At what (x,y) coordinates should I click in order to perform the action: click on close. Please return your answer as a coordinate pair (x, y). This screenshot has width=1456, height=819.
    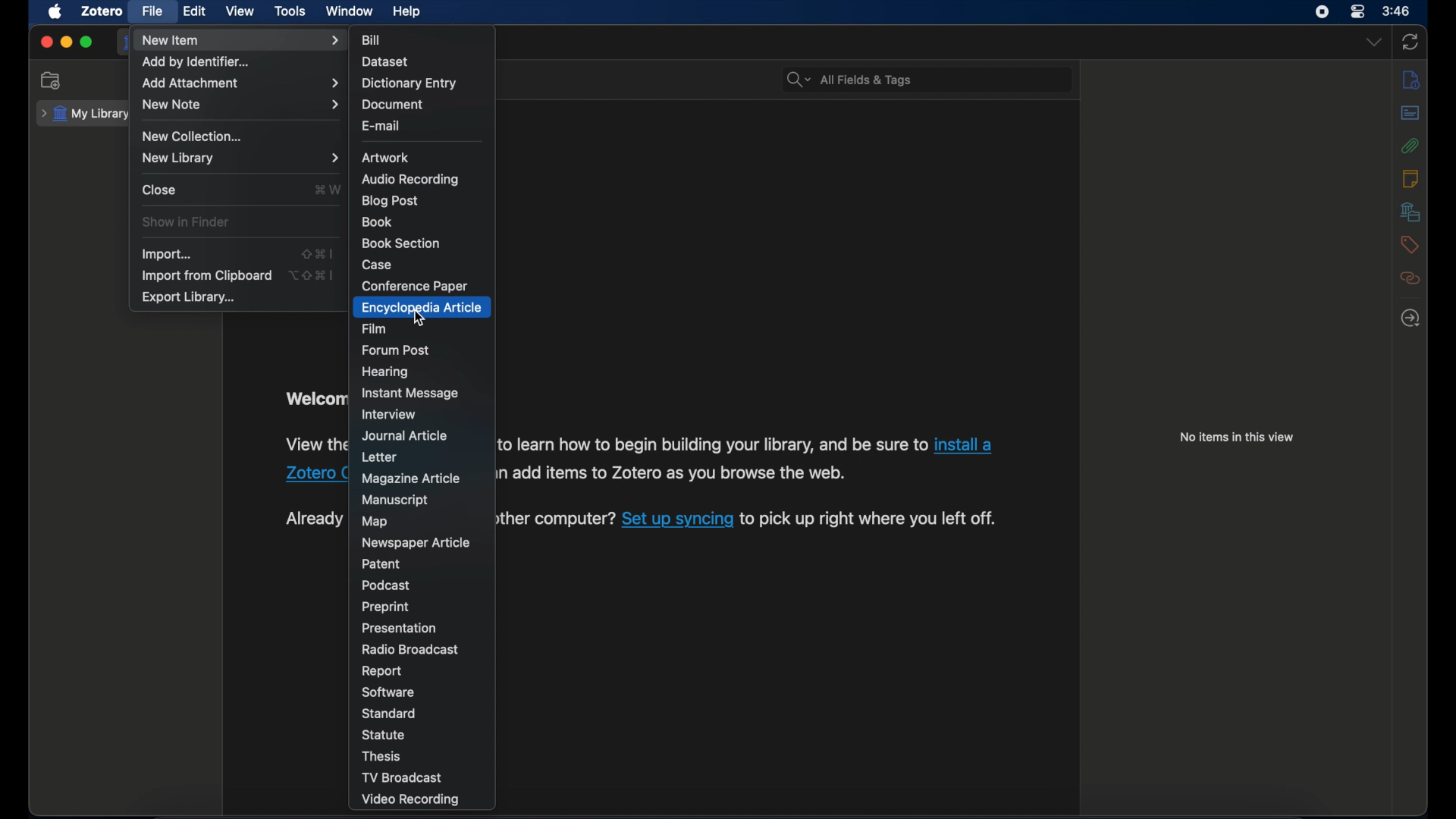
    Looking at the image, I should click on (159, 190).